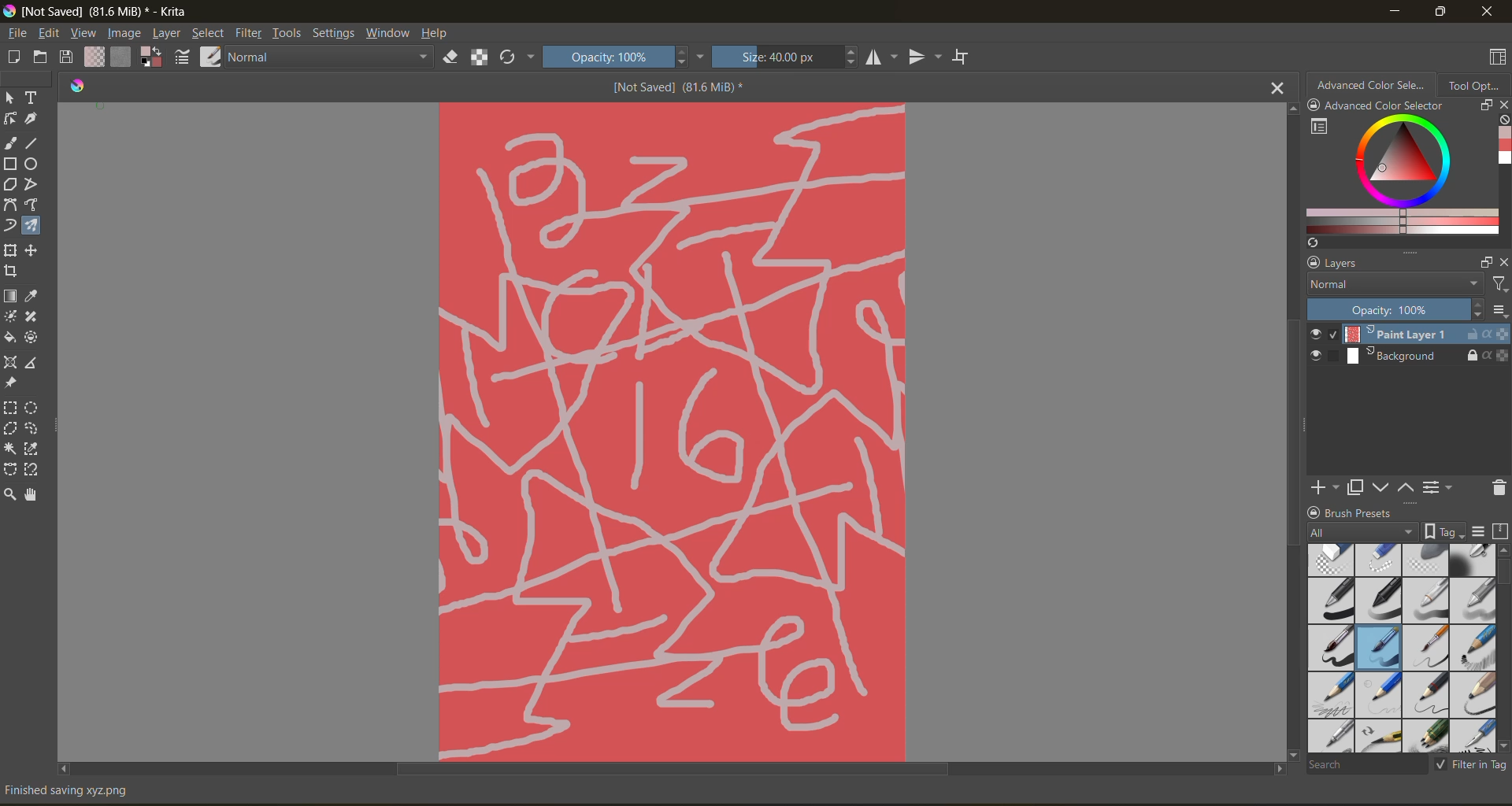 This screenshot has width=1512, height=806. What do you see at coordinates (451, 56) in the screenshot?
I see `set eraser mode` at bounding box center [451, 56].